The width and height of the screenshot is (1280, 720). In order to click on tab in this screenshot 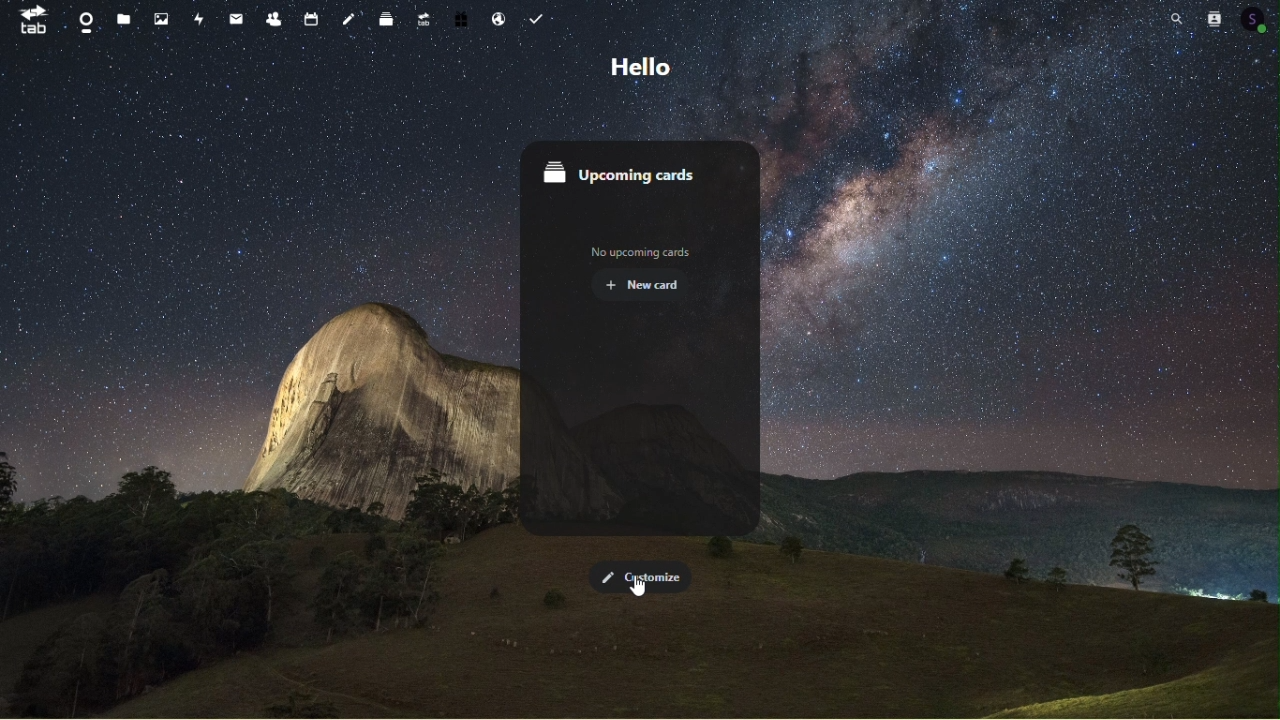, I will do `click(33, 22)`.